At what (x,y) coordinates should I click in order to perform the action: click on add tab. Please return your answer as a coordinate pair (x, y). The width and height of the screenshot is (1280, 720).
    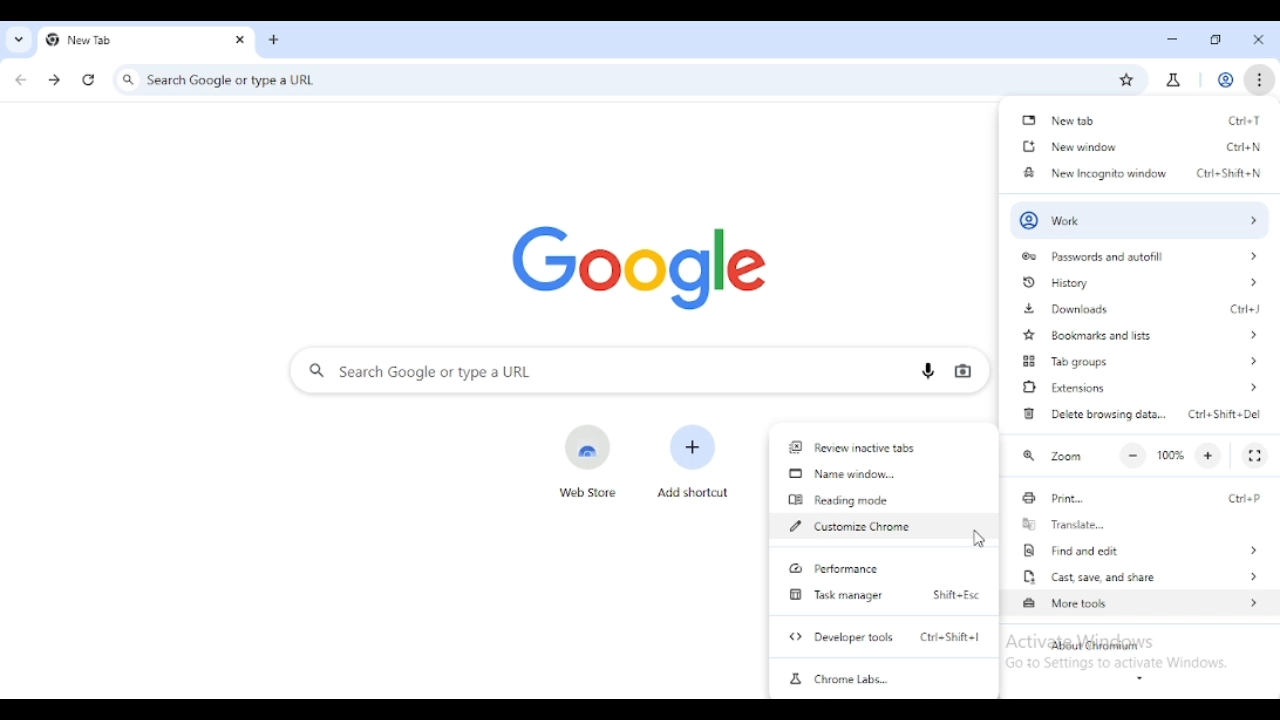
    Looking at the image, I should click on (274, 40).